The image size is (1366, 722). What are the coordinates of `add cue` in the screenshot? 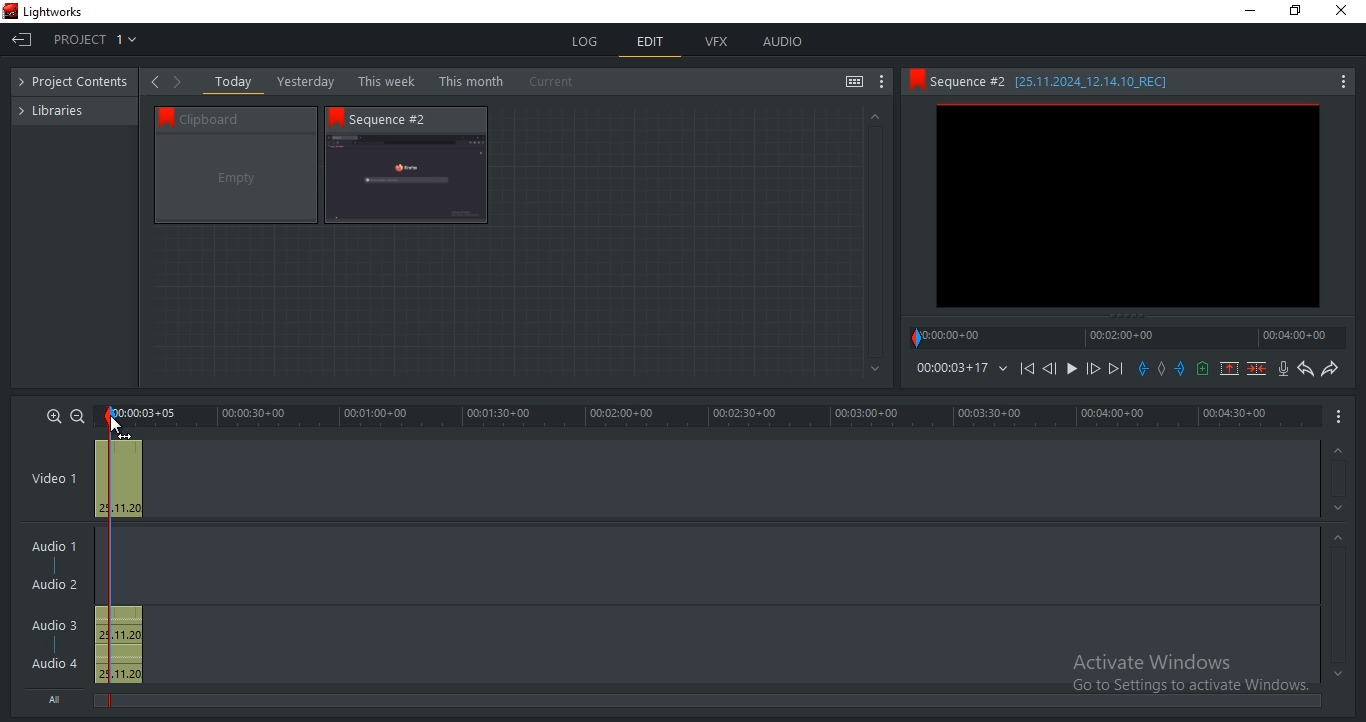 It's located at (1203, 369).